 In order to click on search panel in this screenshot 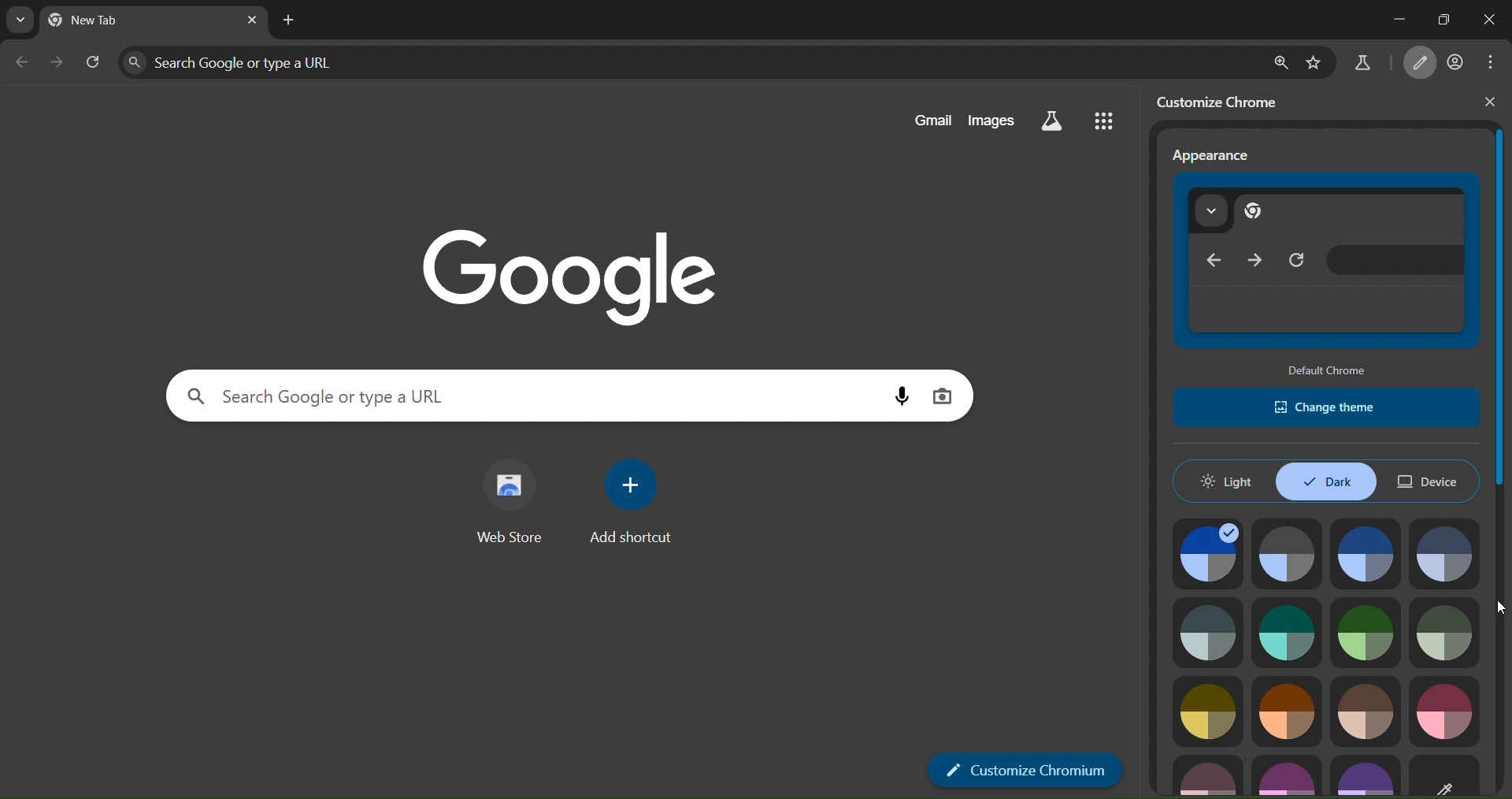, I will do `click(524, 395)`.